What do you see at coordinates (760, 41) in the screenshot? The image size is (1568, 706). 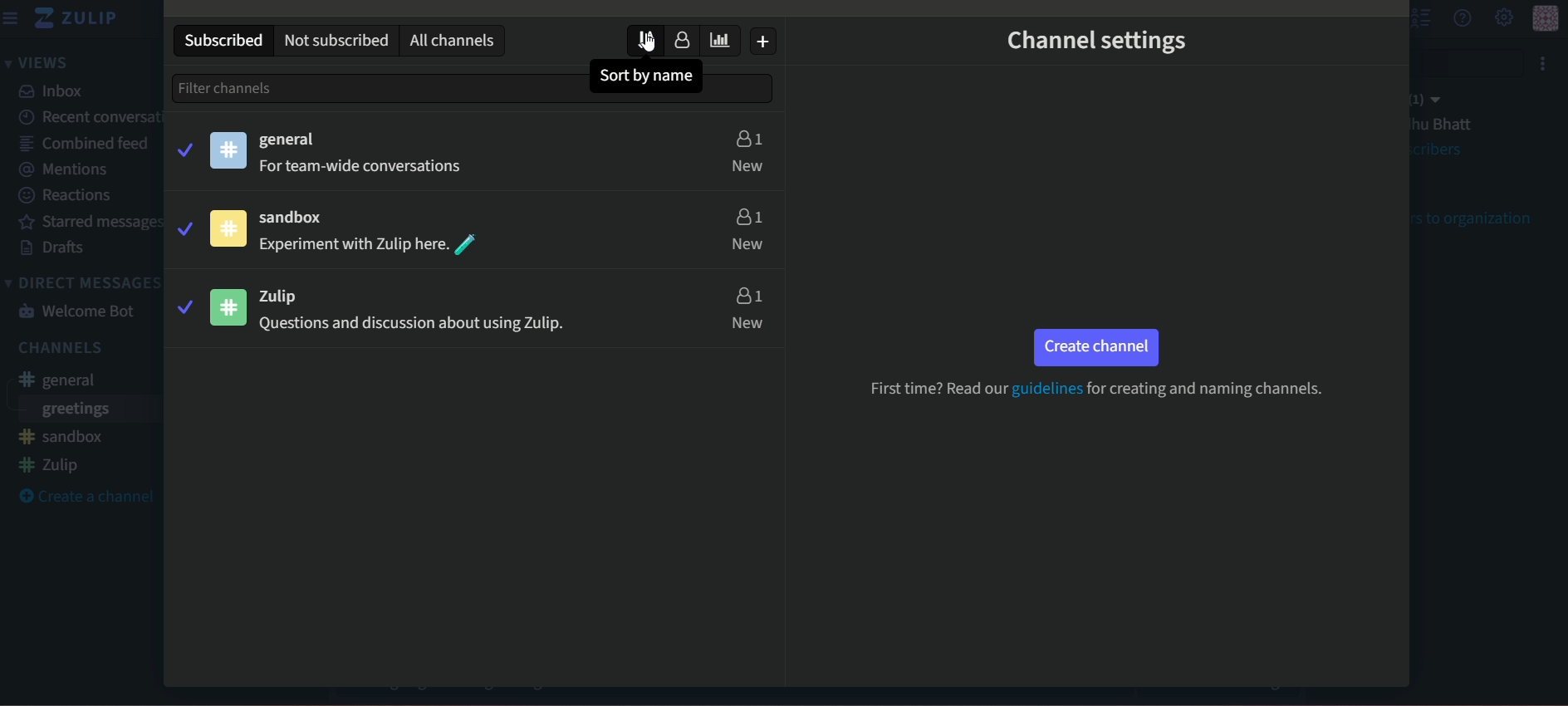 I see `create new channel` at bounding box center [760, 41].